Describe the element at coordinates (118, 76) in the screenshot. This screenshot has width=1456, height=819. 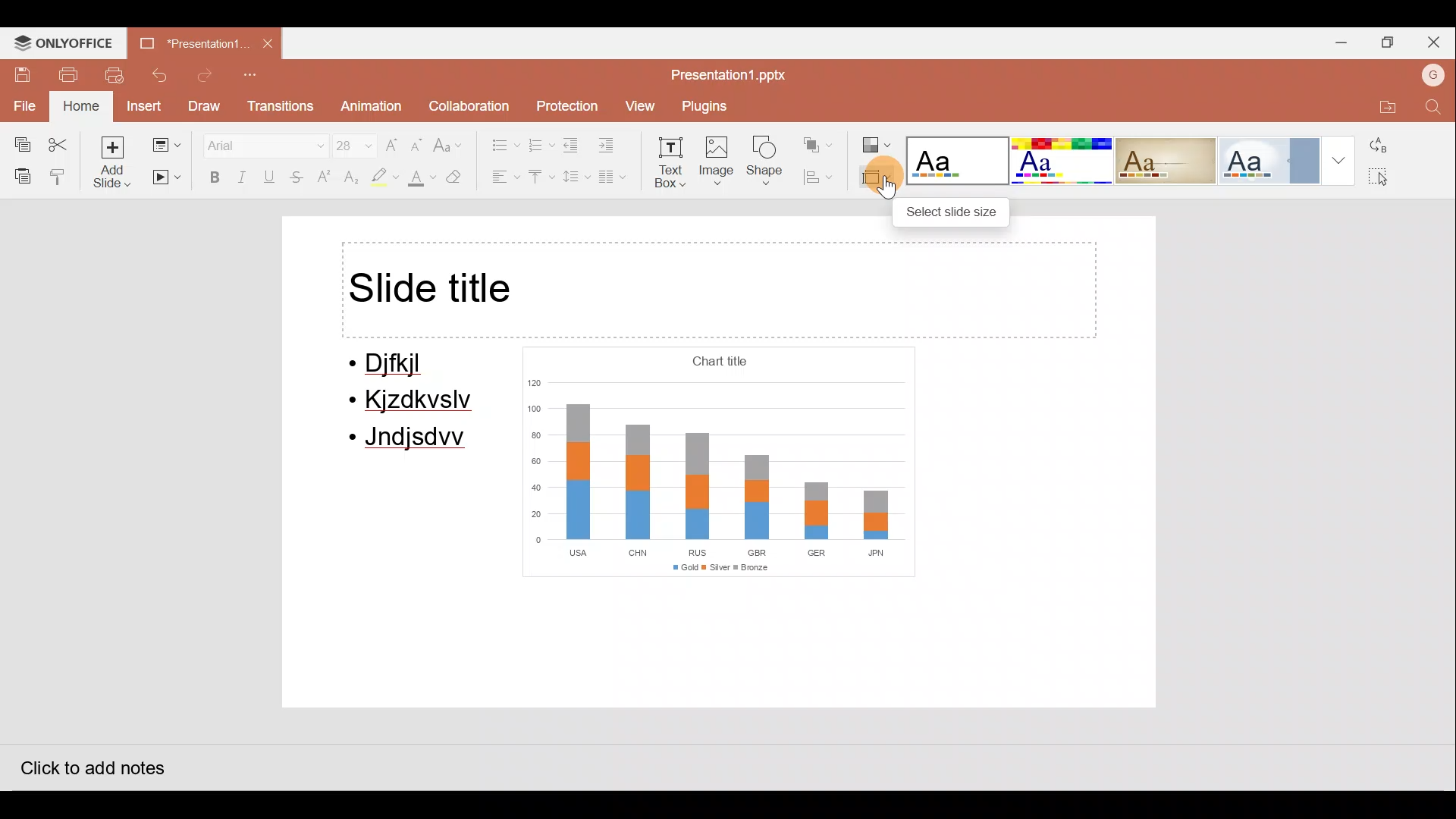
I see `Quick print` at that location.